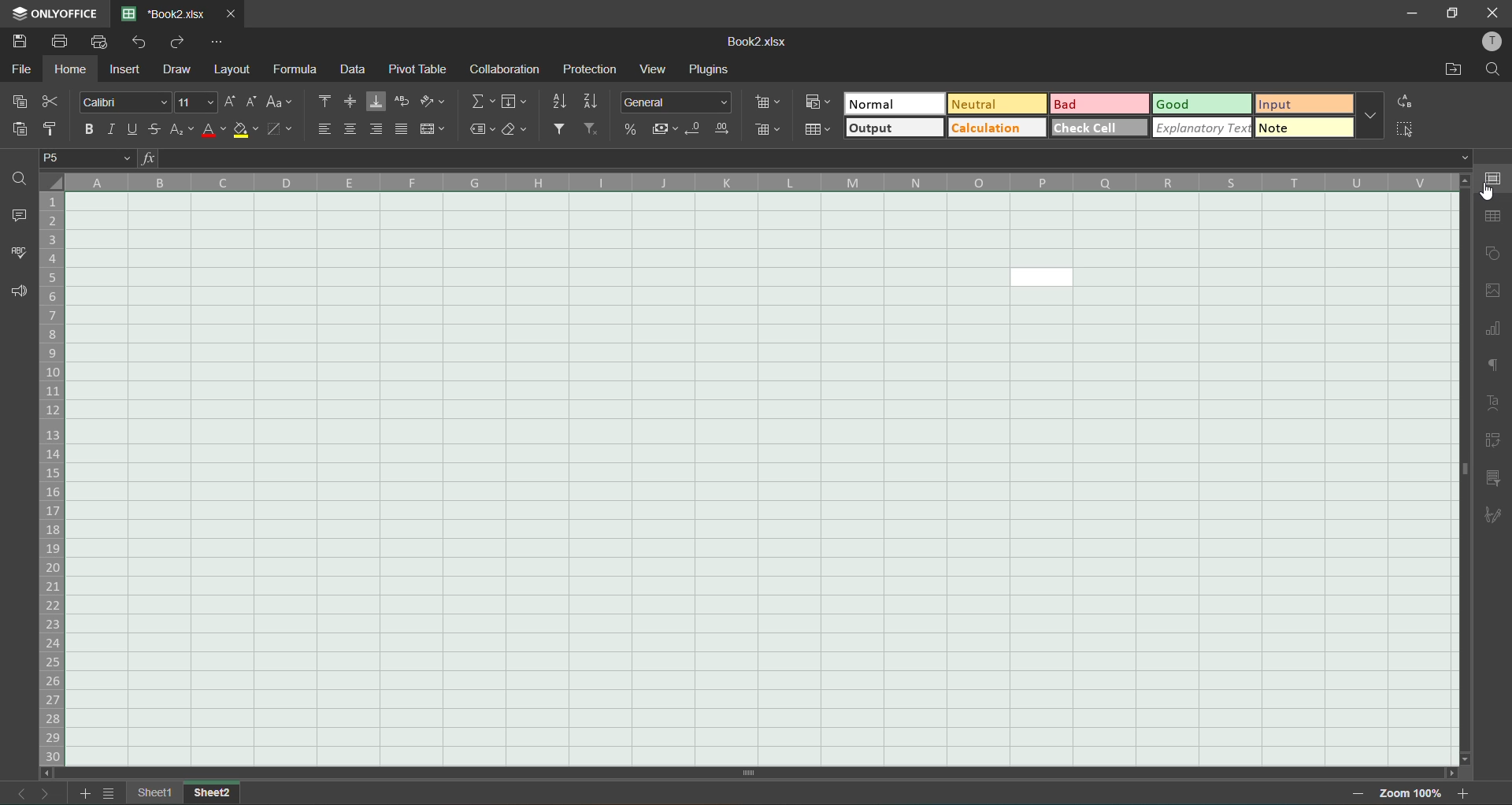  Describe the element at coordinates (765, 103) in the screenshot. I see `insert cells` at that location.